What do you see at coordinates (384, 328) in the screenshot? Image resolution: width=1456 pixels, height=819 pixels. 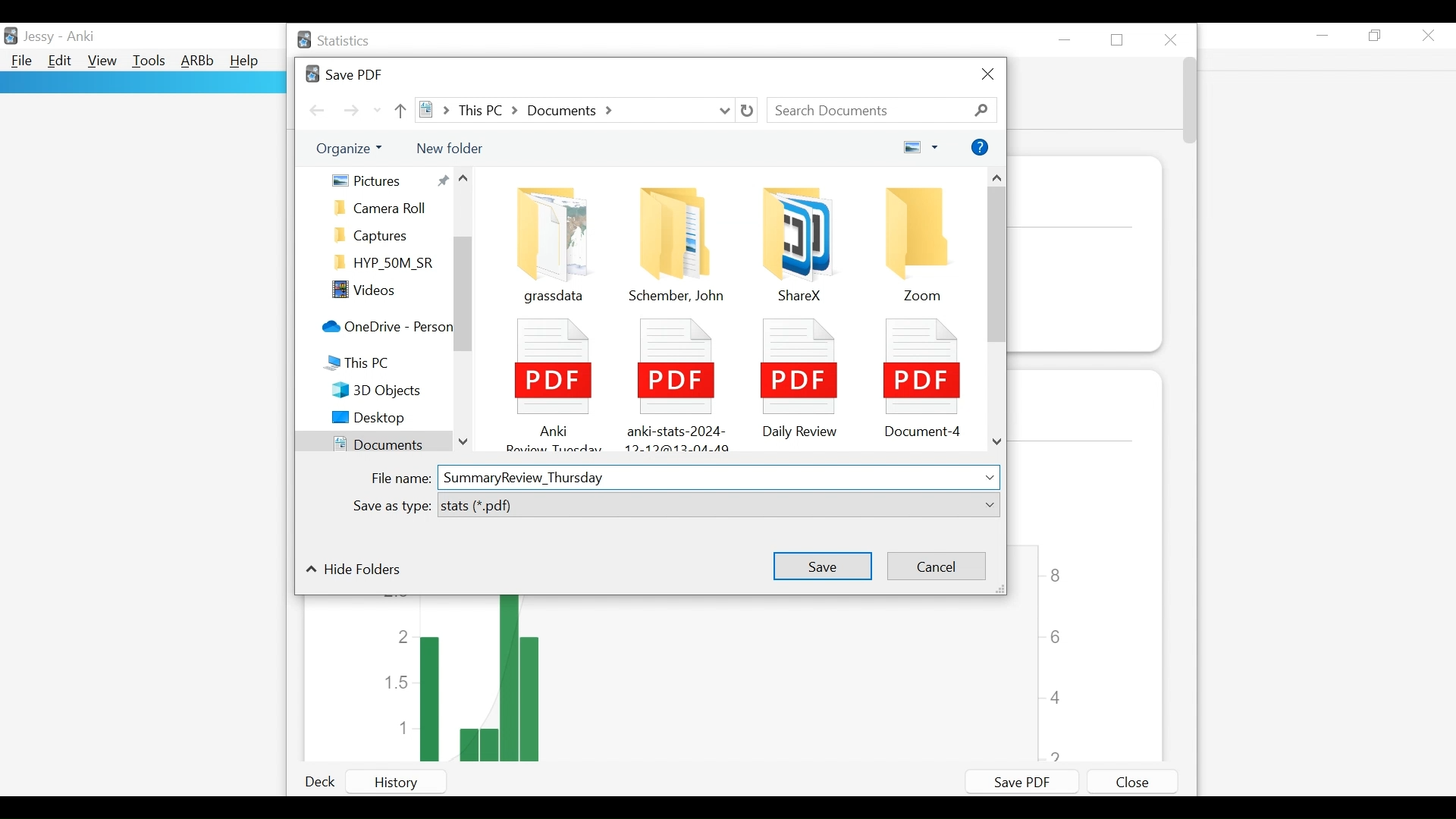 I see `OneDrive` at bounding box center [384, 328].